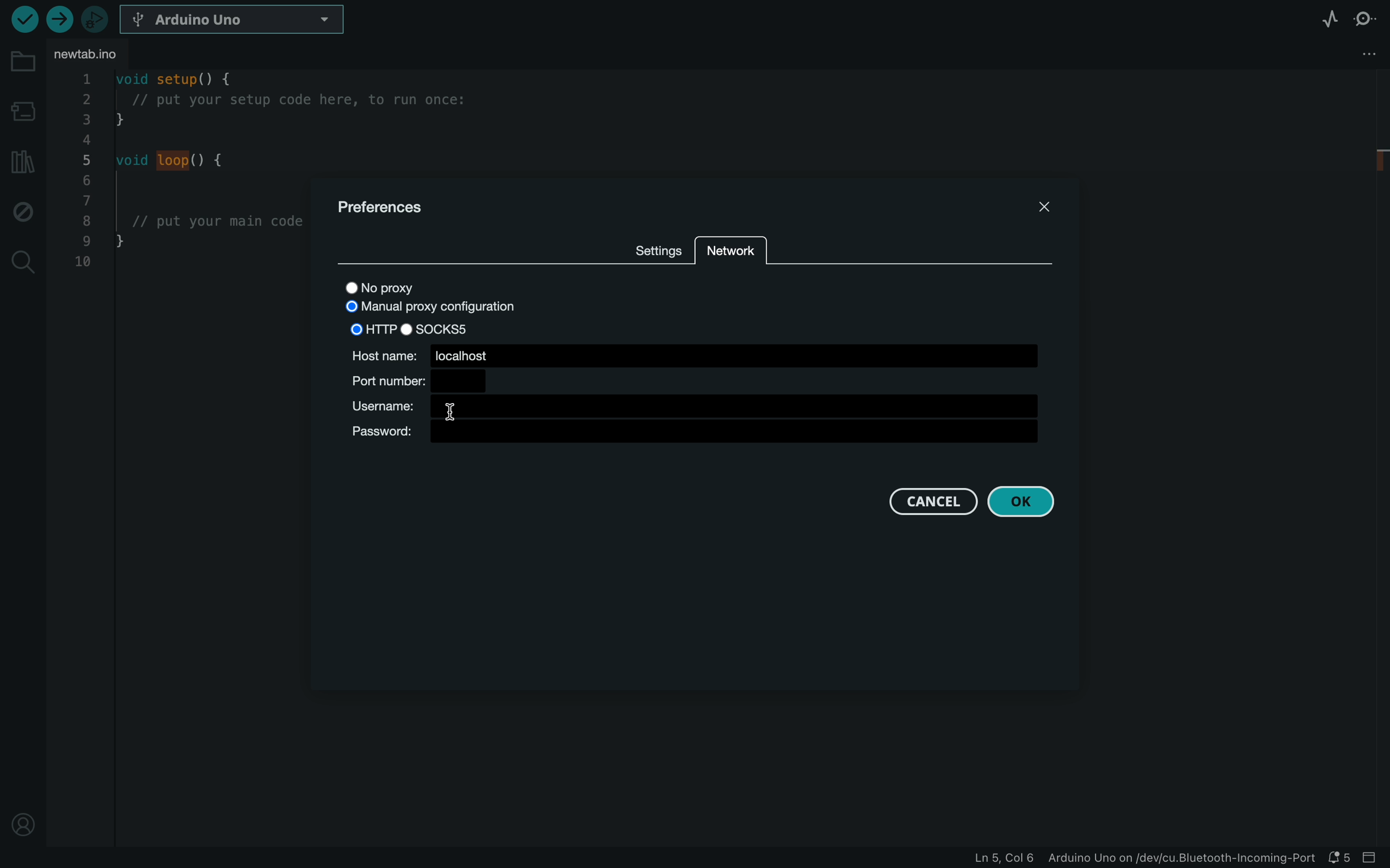  Describe the element at coordinates (393, 289) in the screenshot. I see `no proxy` at that location.